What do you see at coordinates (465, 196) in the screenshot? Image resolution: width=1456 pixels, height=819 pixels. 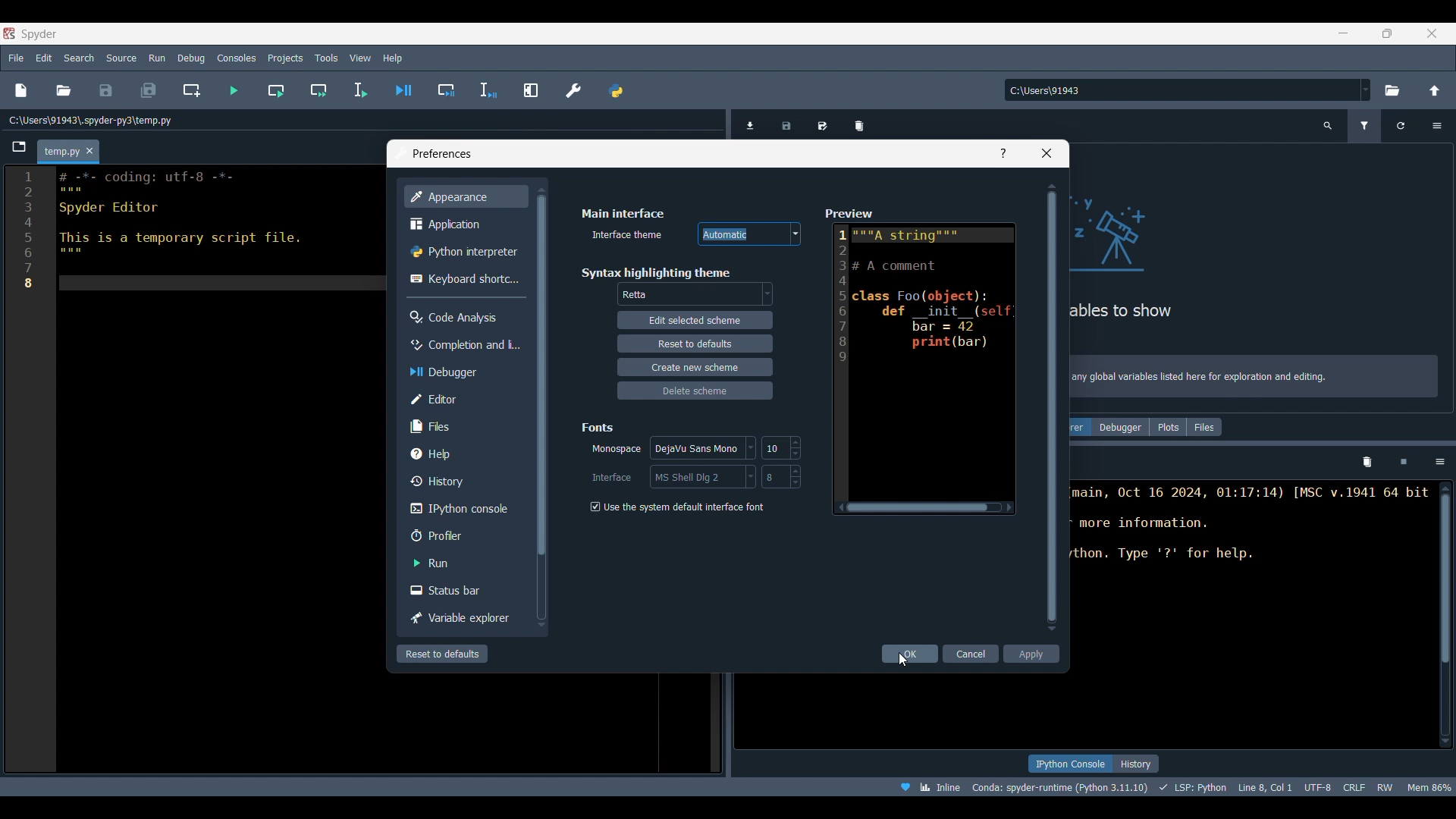 I see `Appearance, current selection highlighted` at bounding box center [465, 196].